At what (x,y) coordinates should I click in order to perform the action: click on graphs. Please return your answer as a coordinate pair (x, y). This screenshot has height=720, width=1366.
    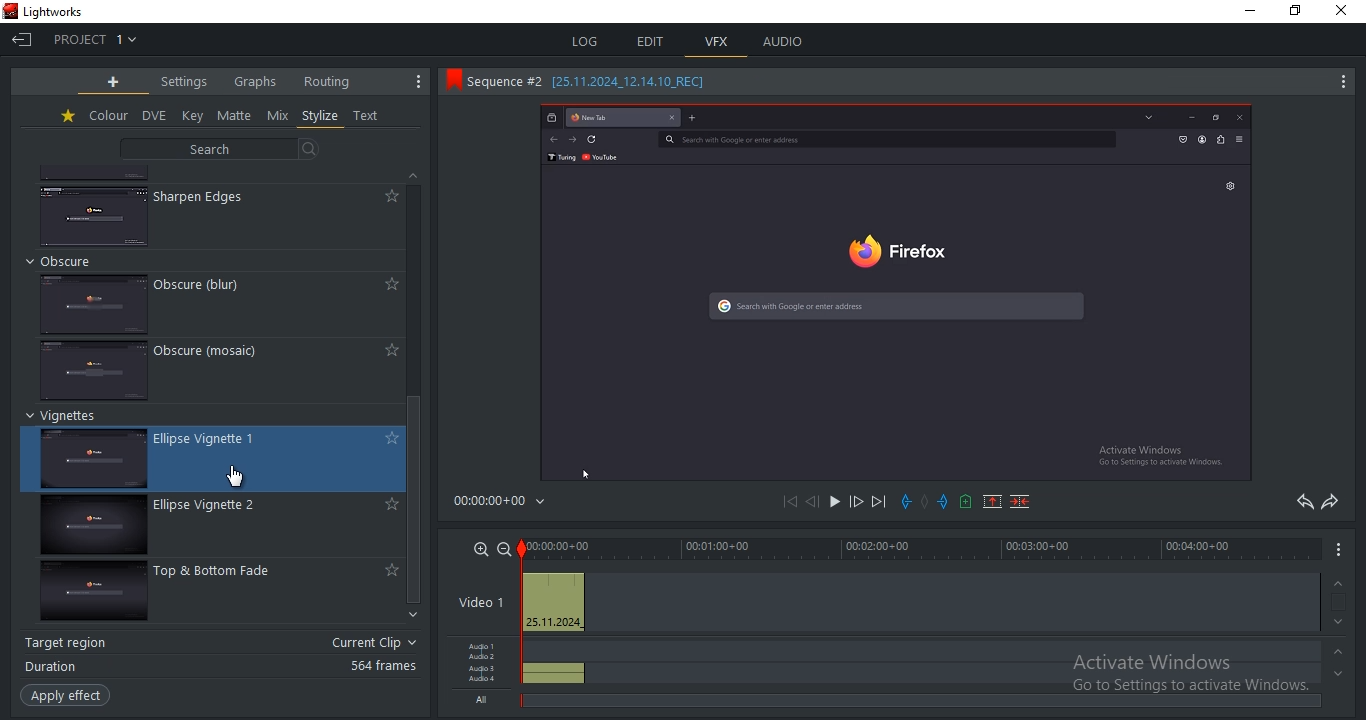
    Looking at the image, I should click on (256, 82).